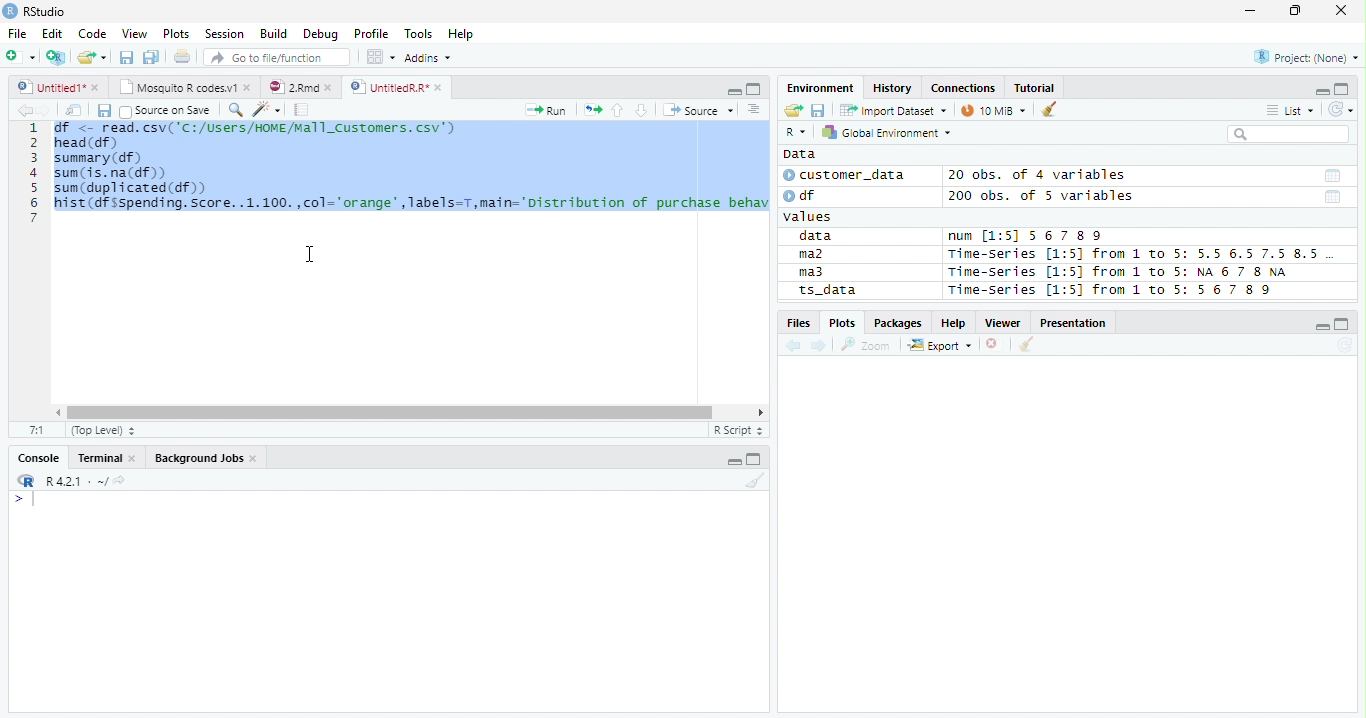 This screenshot has width=1366, height=718. Describe the element at coordinates (592, 111) in the screenshot. I see `Re-run` at that location.